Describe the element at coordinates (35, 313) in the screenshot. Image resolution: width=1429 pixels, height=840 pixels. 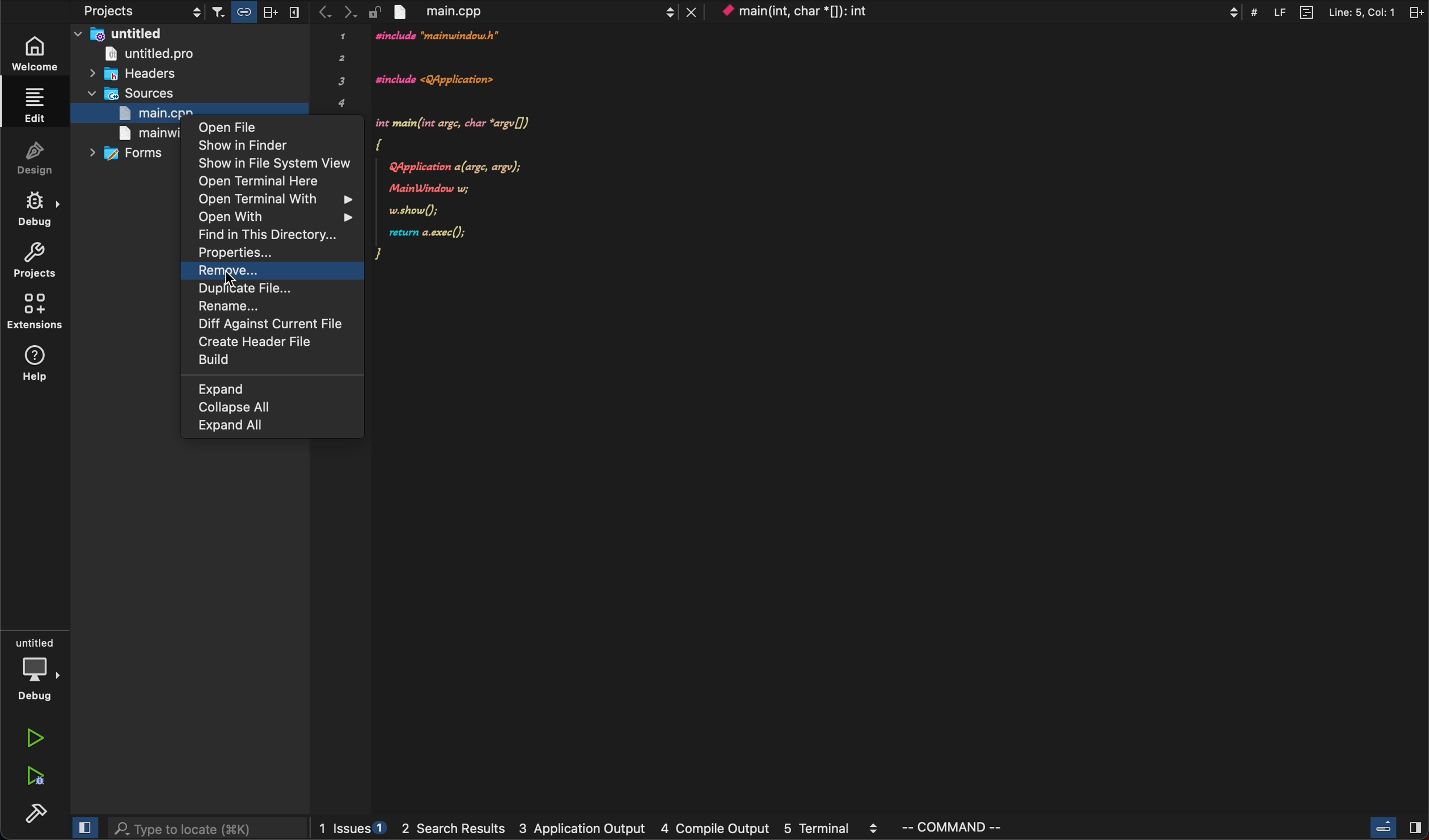
I see `extentions` at that location.